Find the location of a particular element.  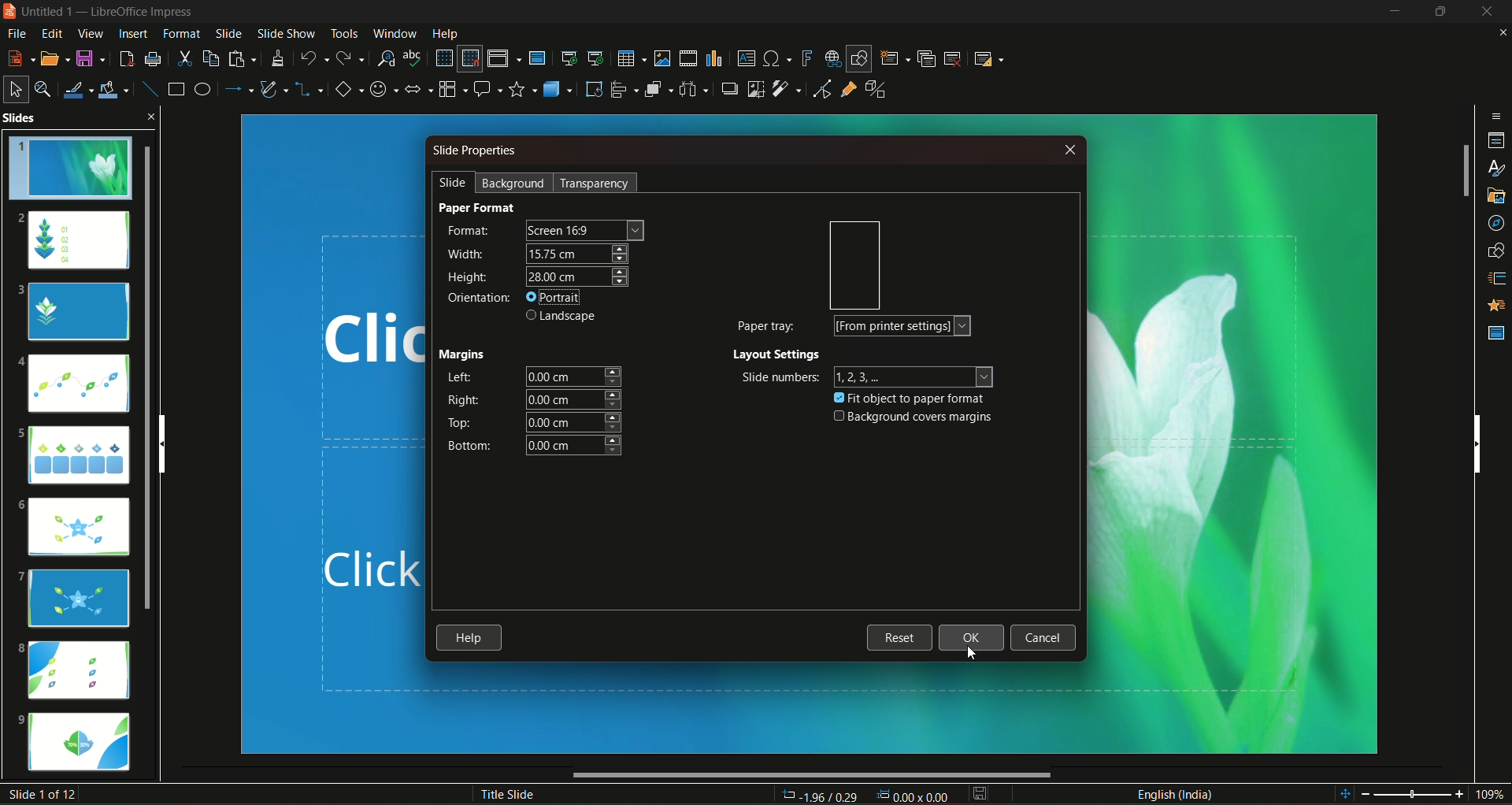

snap to grid is located at coordinates (470, 60).